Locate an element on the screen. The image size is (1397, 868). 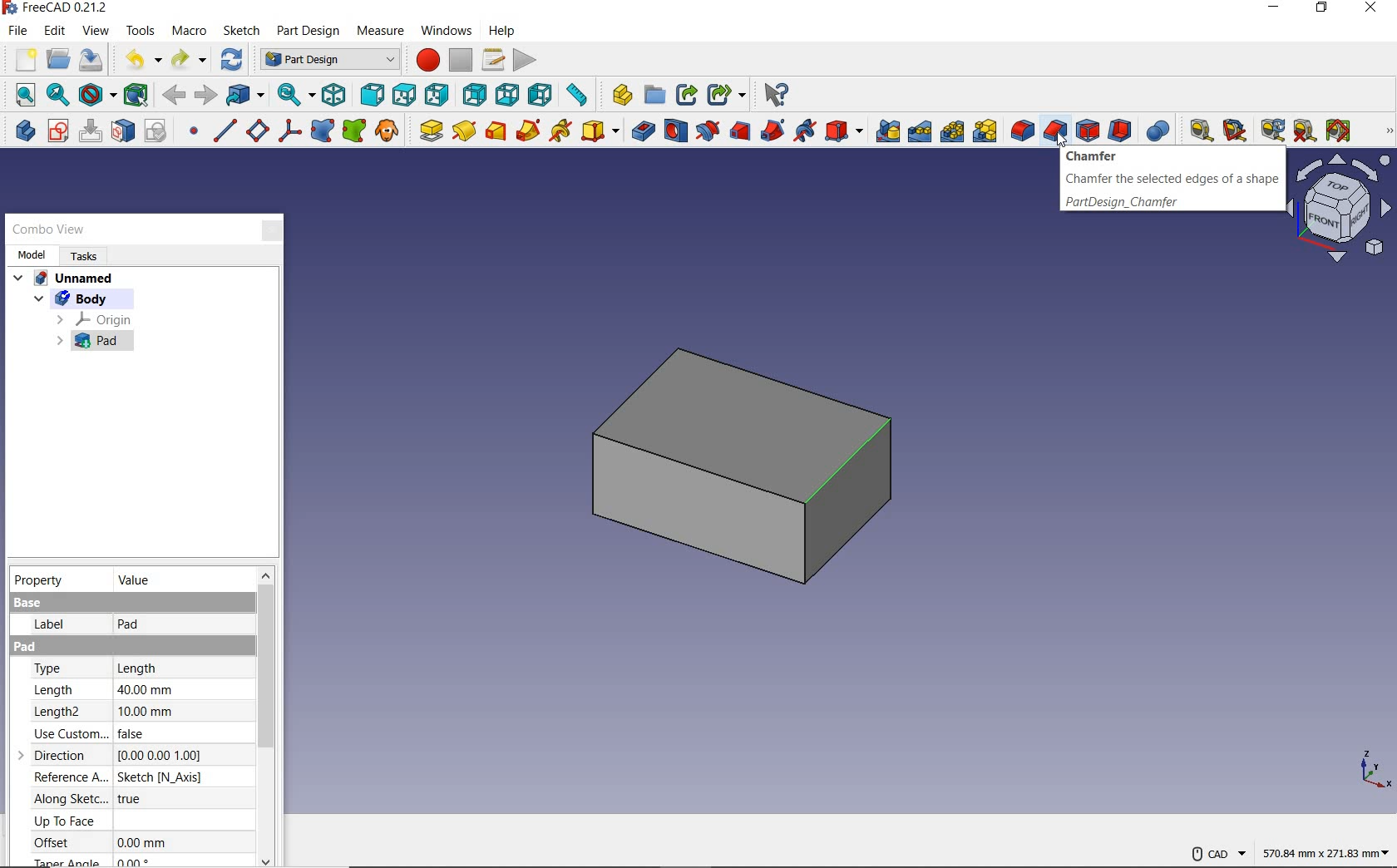
label is located at coordinates (40, 628).